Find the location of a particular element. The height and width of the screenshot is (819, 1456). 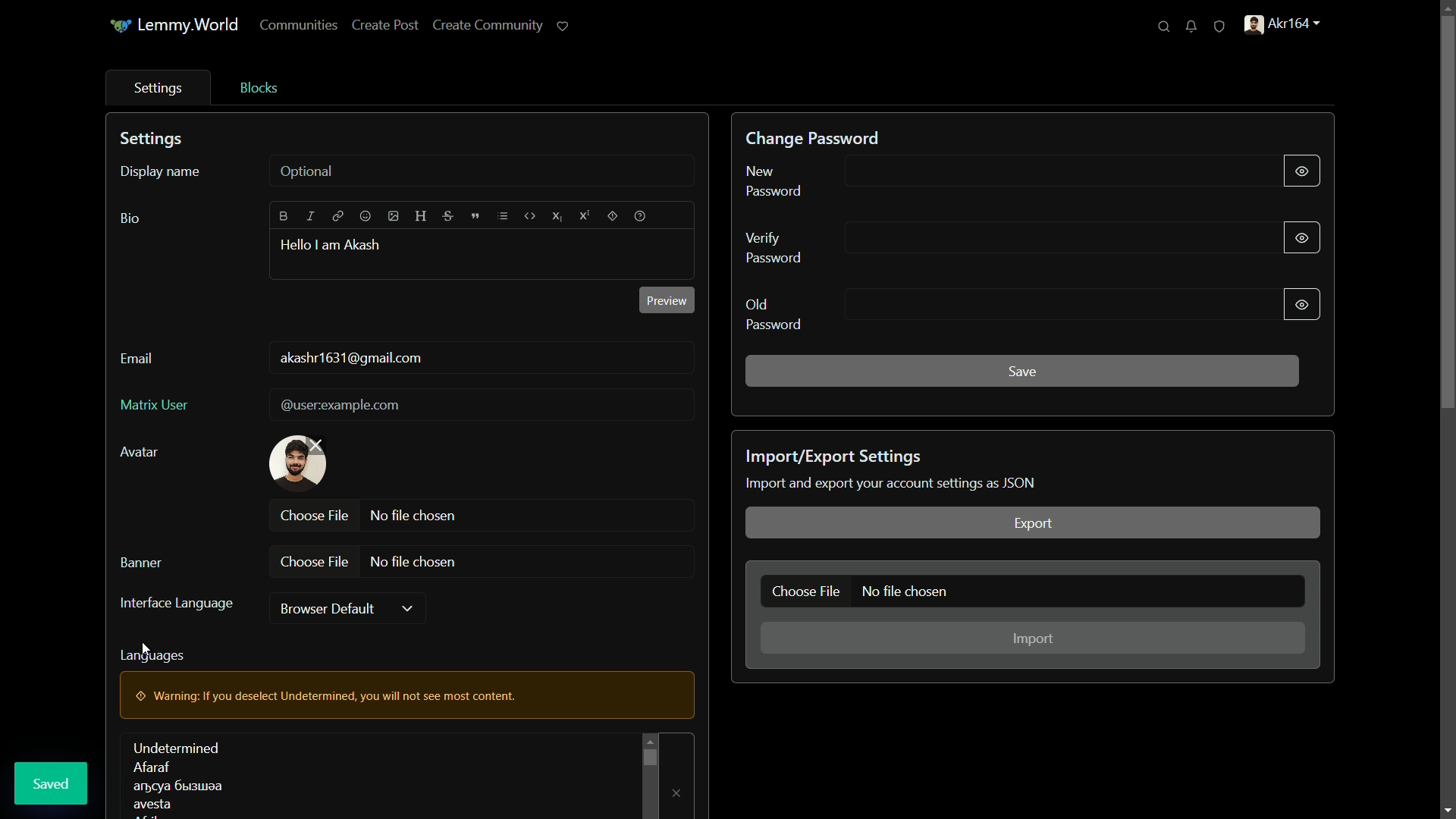

saved pop up is located at coordinates (51, 783).